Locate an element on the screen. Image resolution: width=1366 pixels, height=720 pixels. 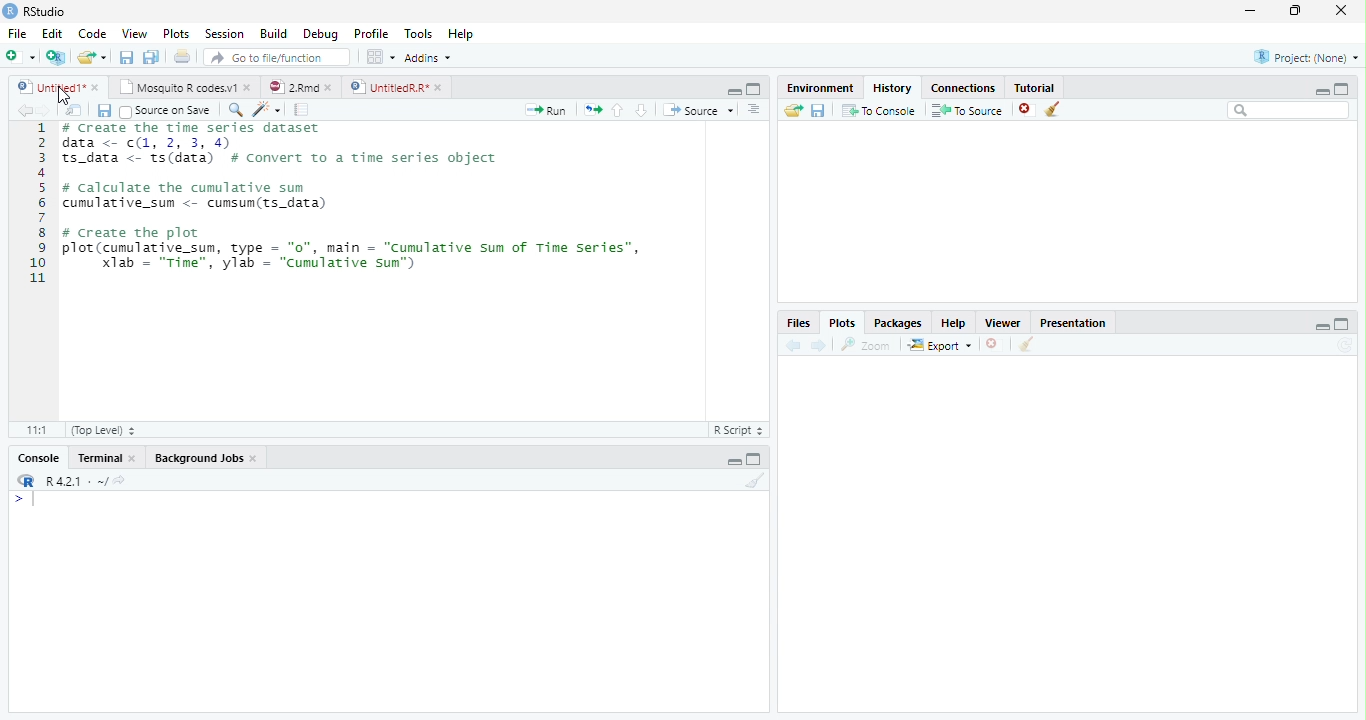
Packages is located at coordinates (896, 323).